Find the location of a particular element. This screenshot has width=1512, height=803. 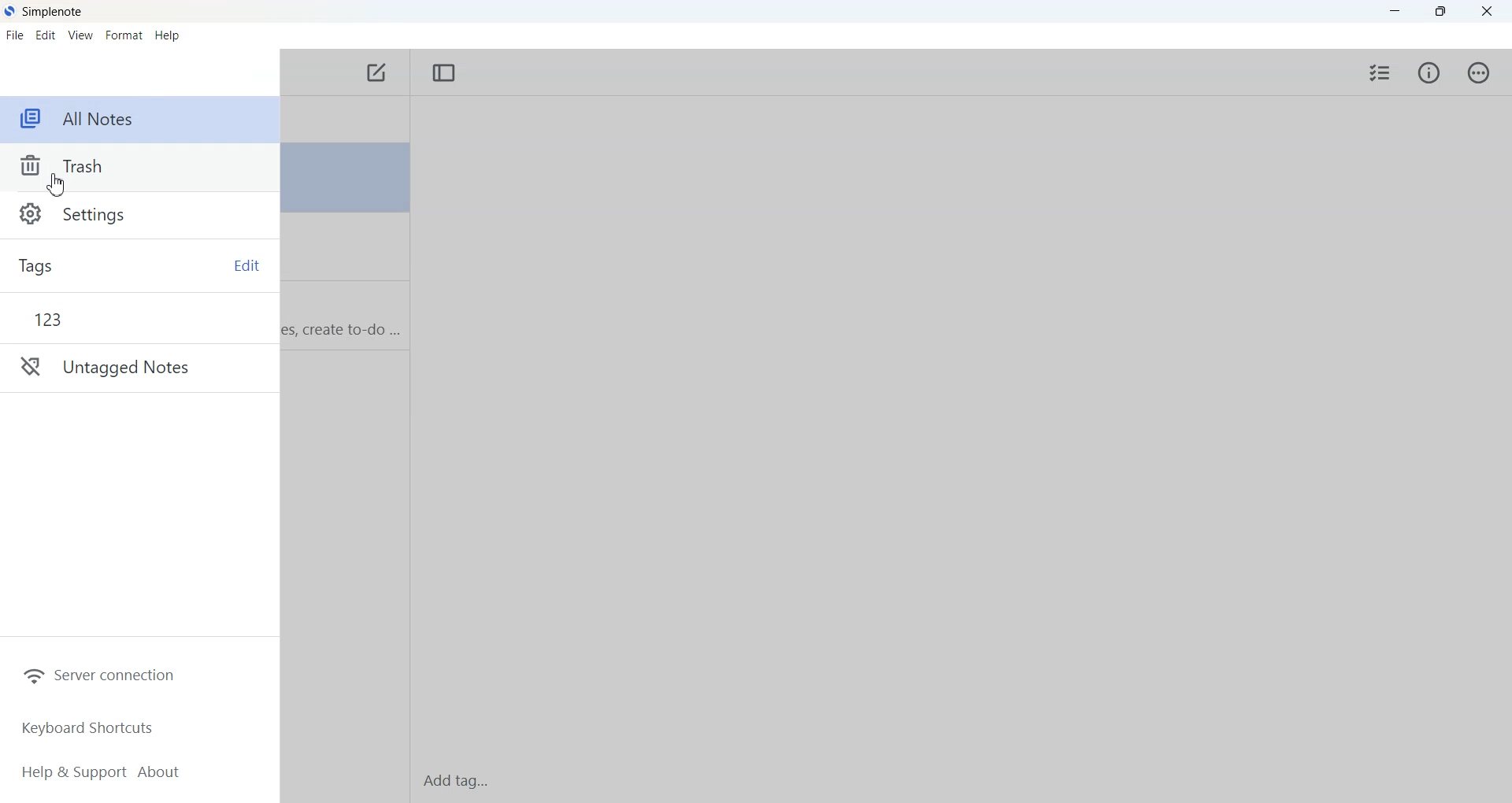

Help is located at coordinates (167, 34).